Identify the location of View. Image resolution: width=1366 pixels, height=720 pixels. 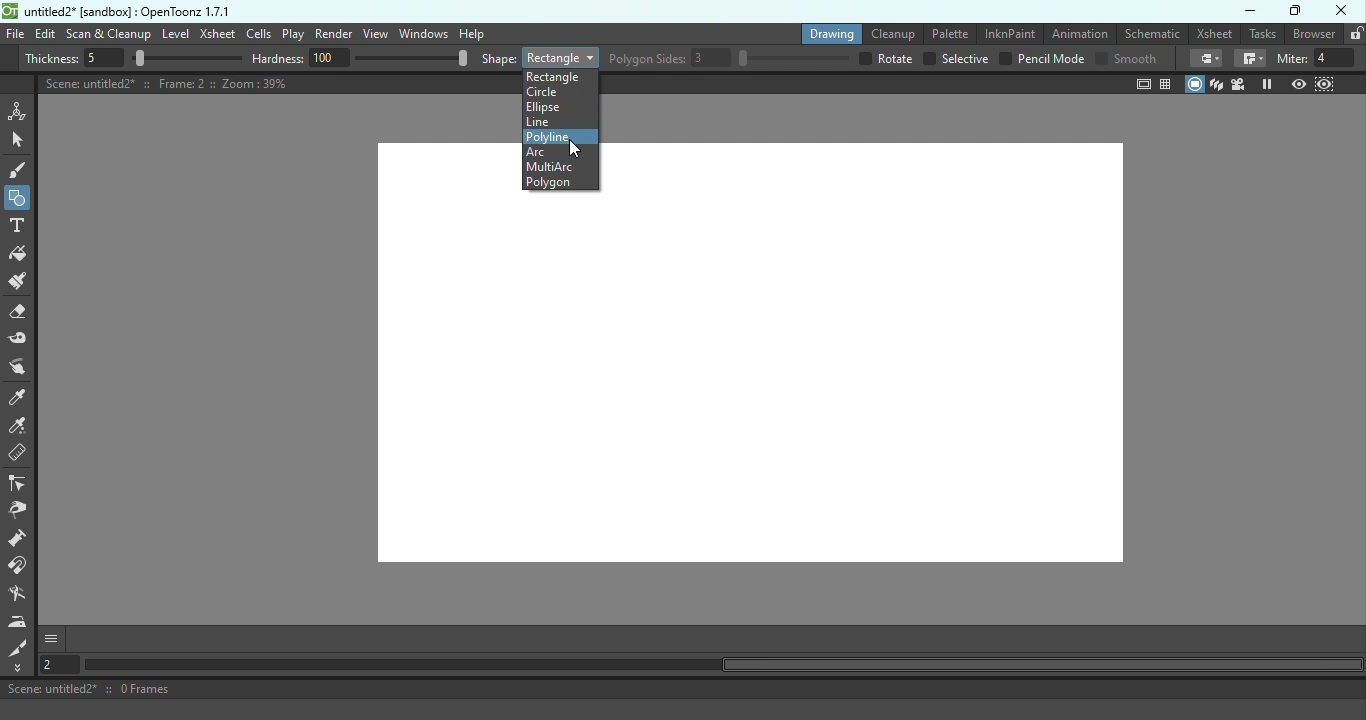
(374, 33).